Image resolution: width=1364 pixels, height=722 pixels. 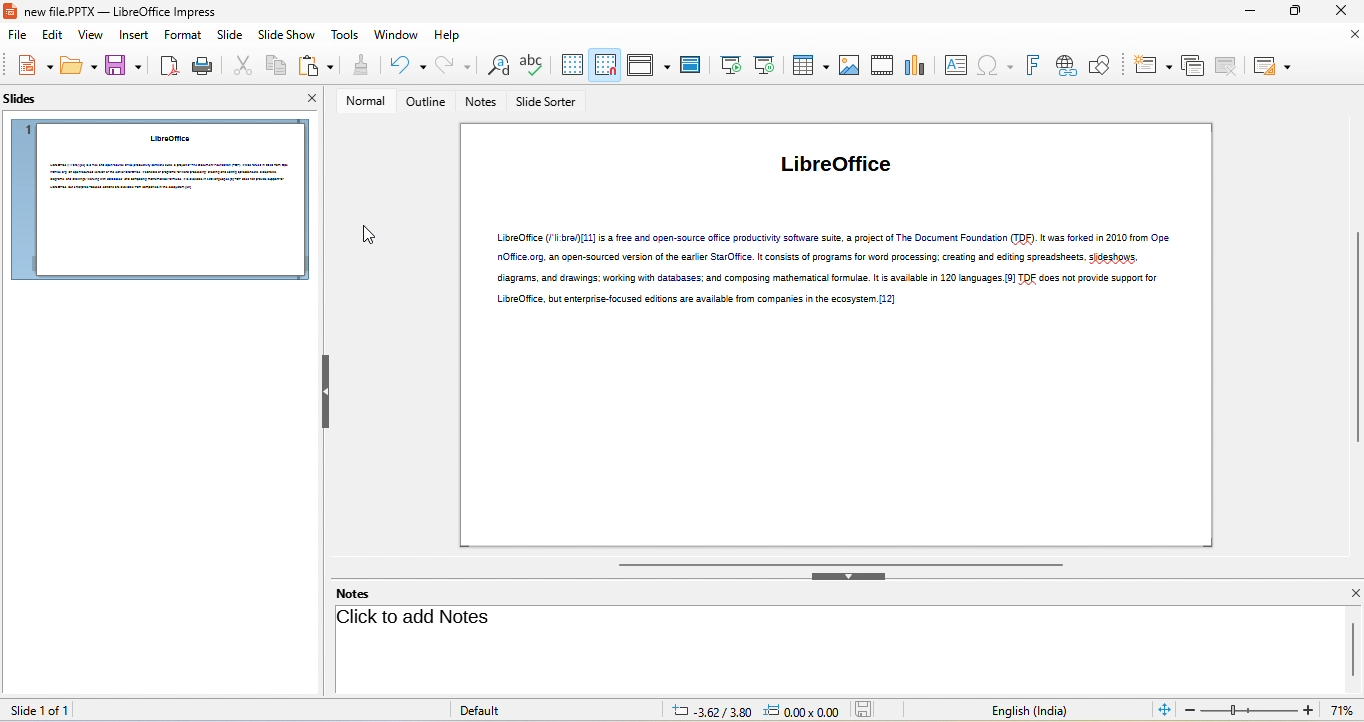 What do you see at coordinates (87, 37) in the screenshot?
I see `view` at bounding box center [87, 37].